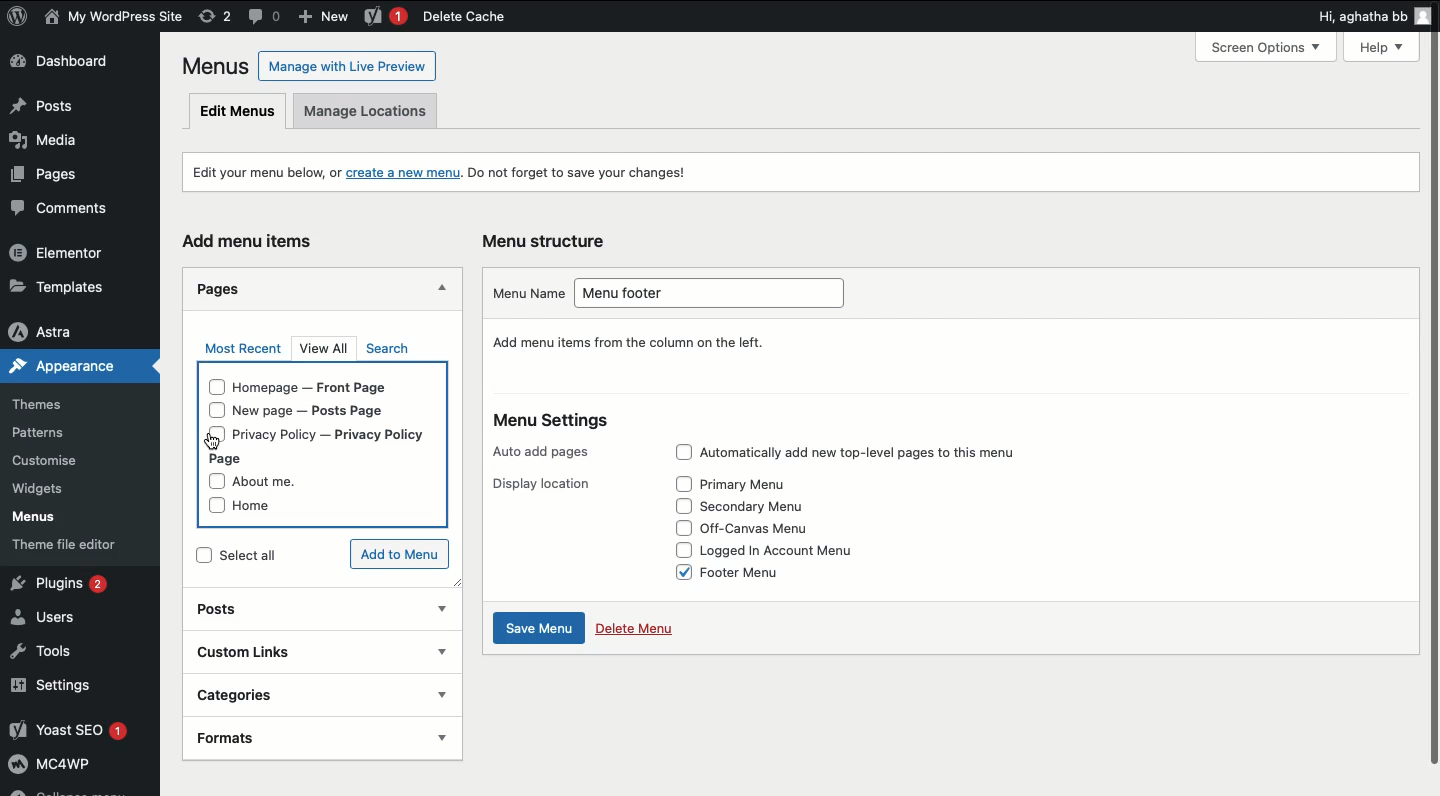 The width and height of the screenshot is (1440, 796). Describe the element at coordinates (752, 485) in the screenshot. I see `Primary menu` at that location.